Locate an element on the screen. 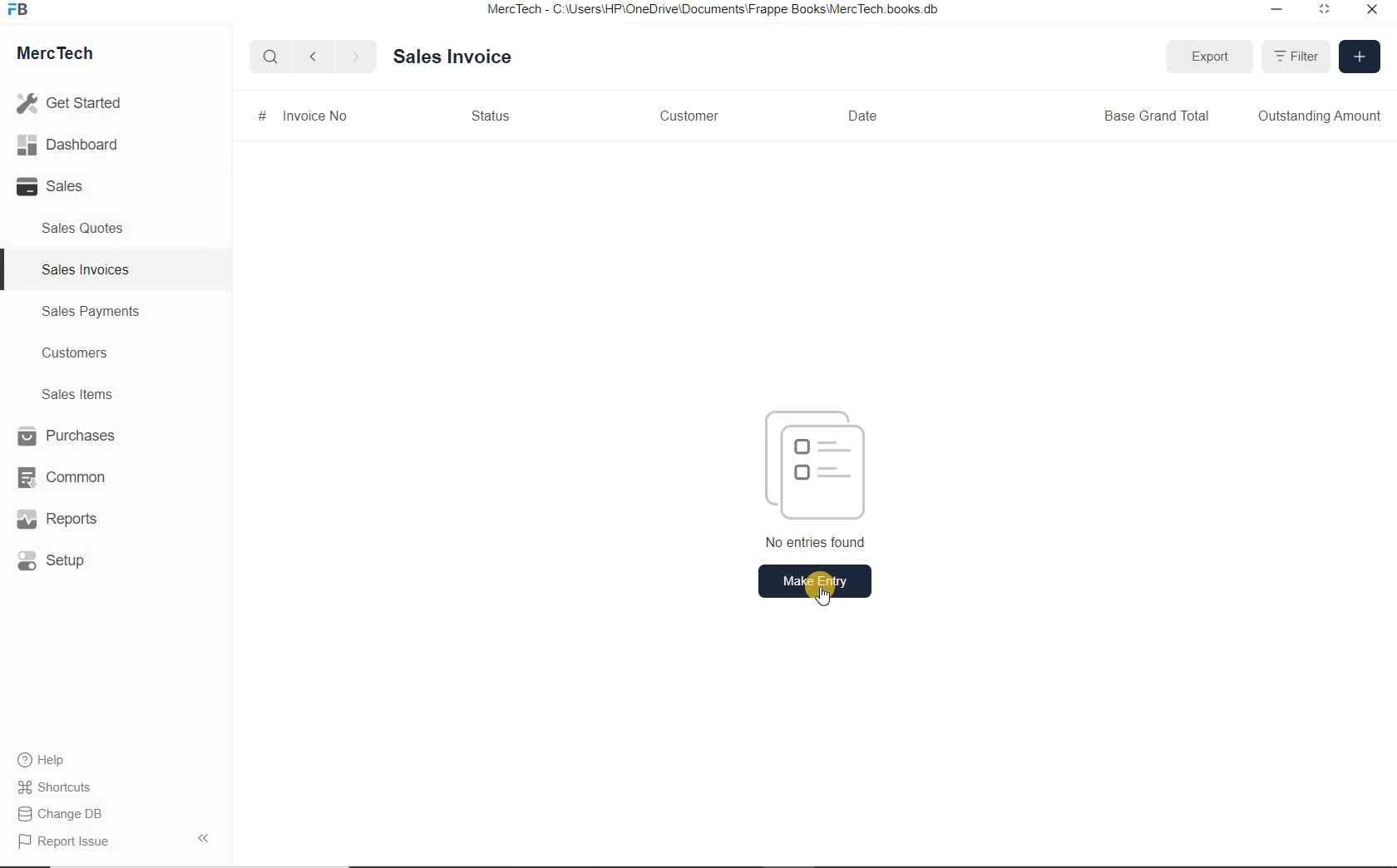  Report Issue is located at coordinates (67, 842).